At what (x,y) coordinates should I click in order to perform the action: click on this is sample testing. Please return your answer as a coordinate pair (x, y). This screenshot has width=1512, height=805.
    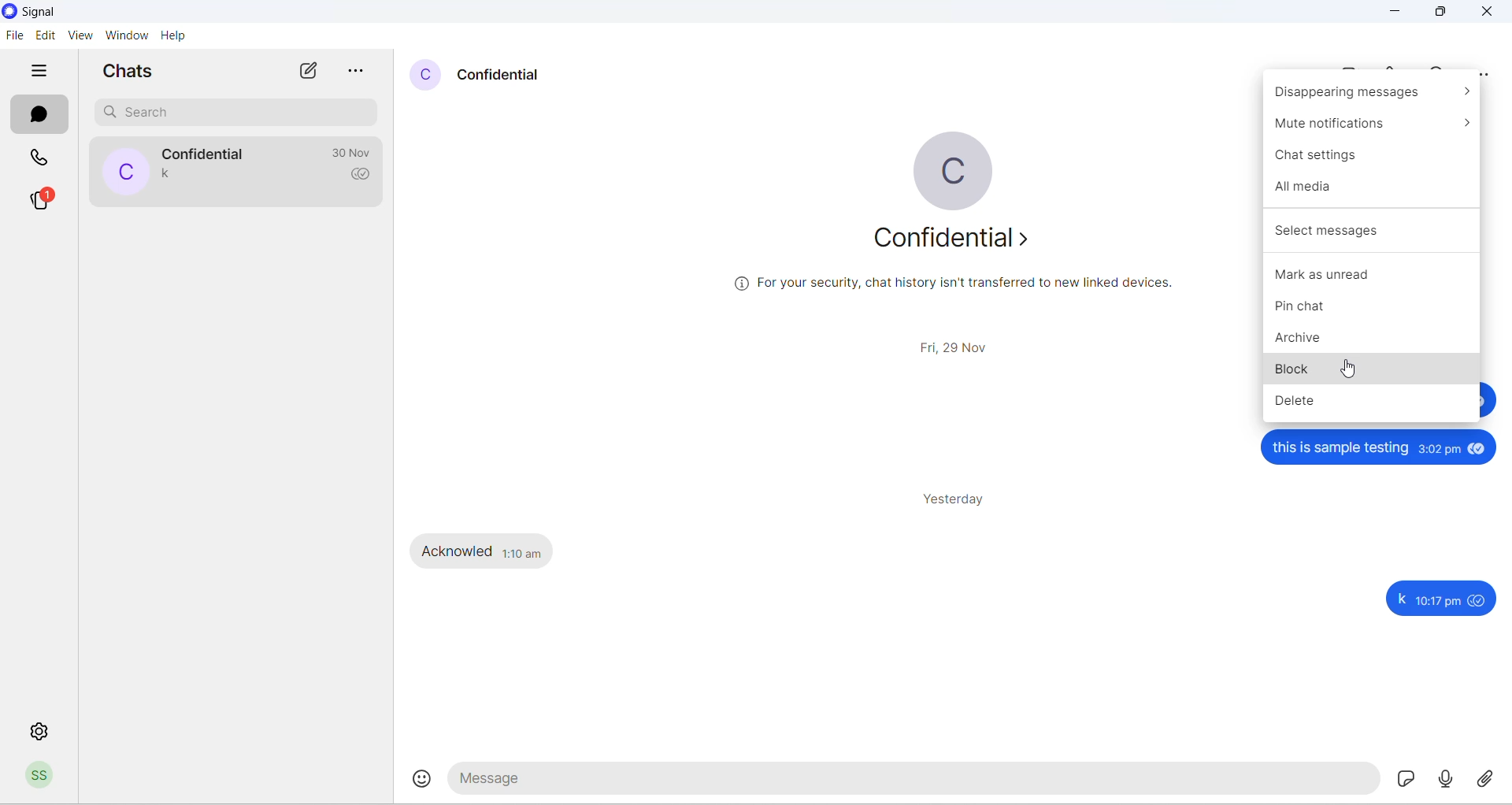
    Looking at the image, I should click on (1343, 448).